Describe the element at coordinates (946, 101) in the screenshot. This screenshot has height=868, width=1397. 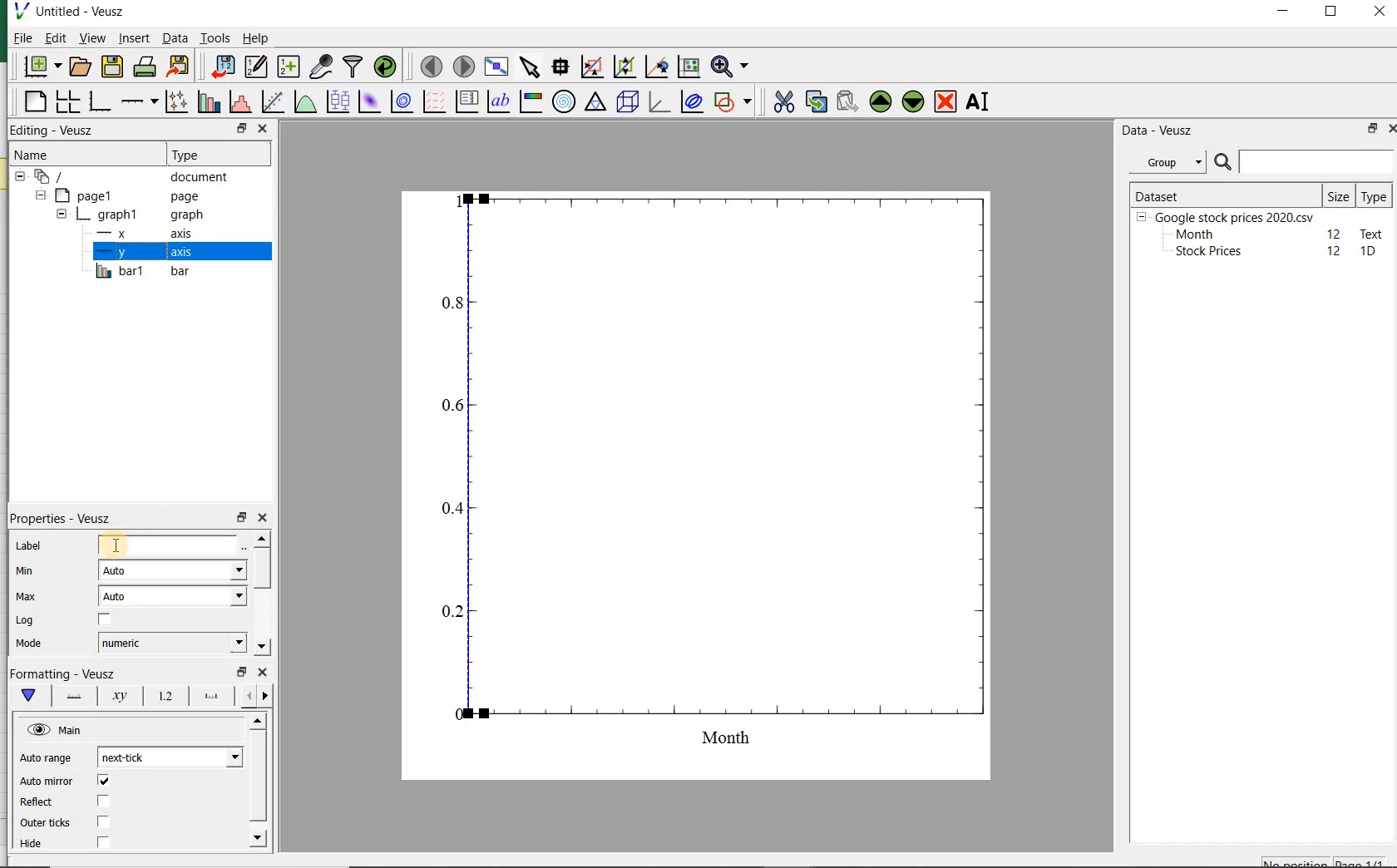
I see `remove the selected widget` at that location.